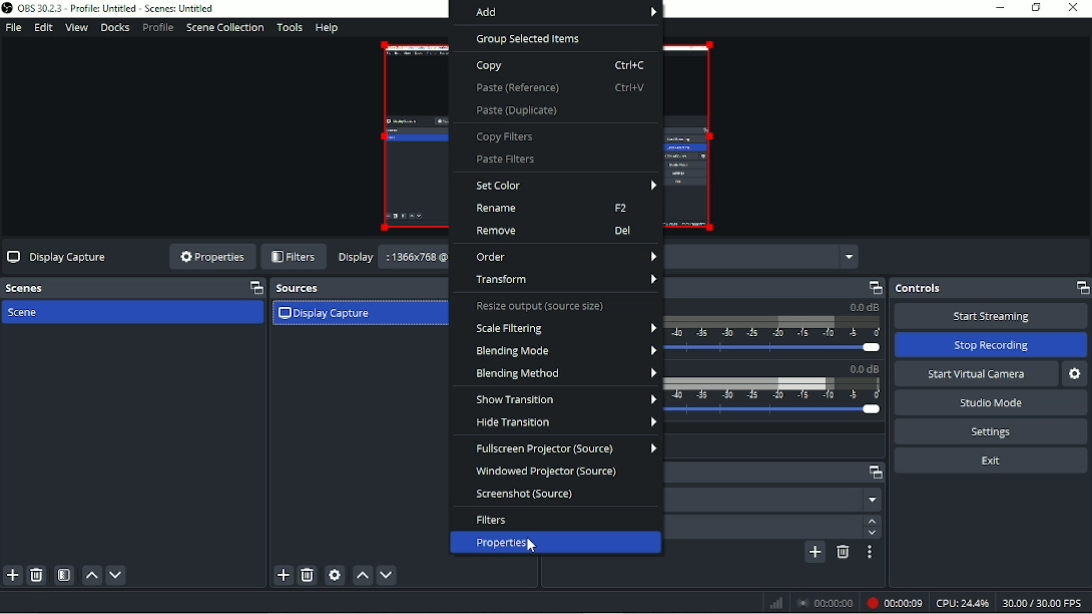 The width and height of the screenshot is (1092, 614). Describe the element at coordinates (777, 602) in the screenshot. I see `Graph` at that location.